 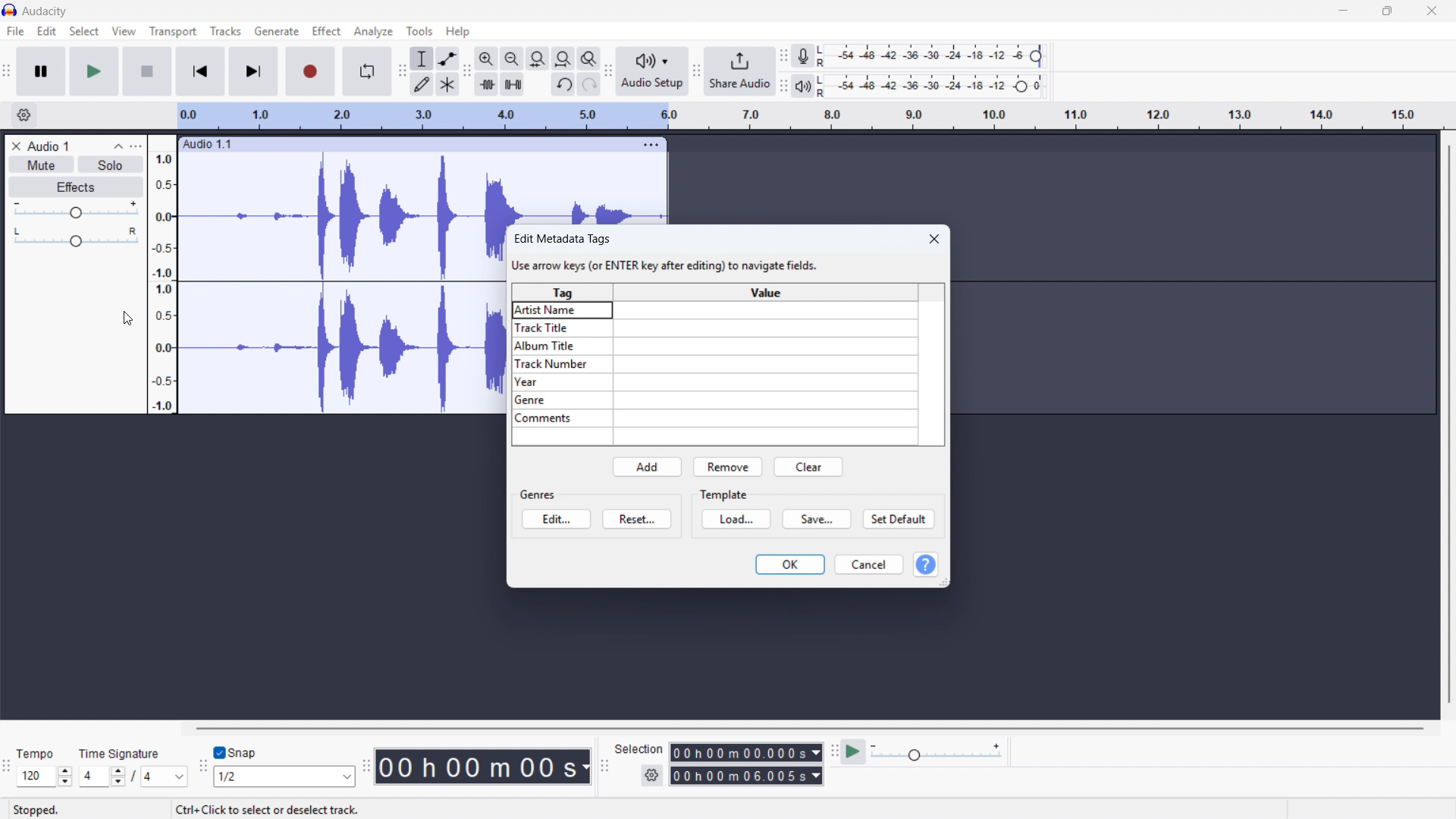 What do you see at coordinates (833, 753) in the screenshot?
I see `play at speed toolbar` at bounding box center [833, 753].